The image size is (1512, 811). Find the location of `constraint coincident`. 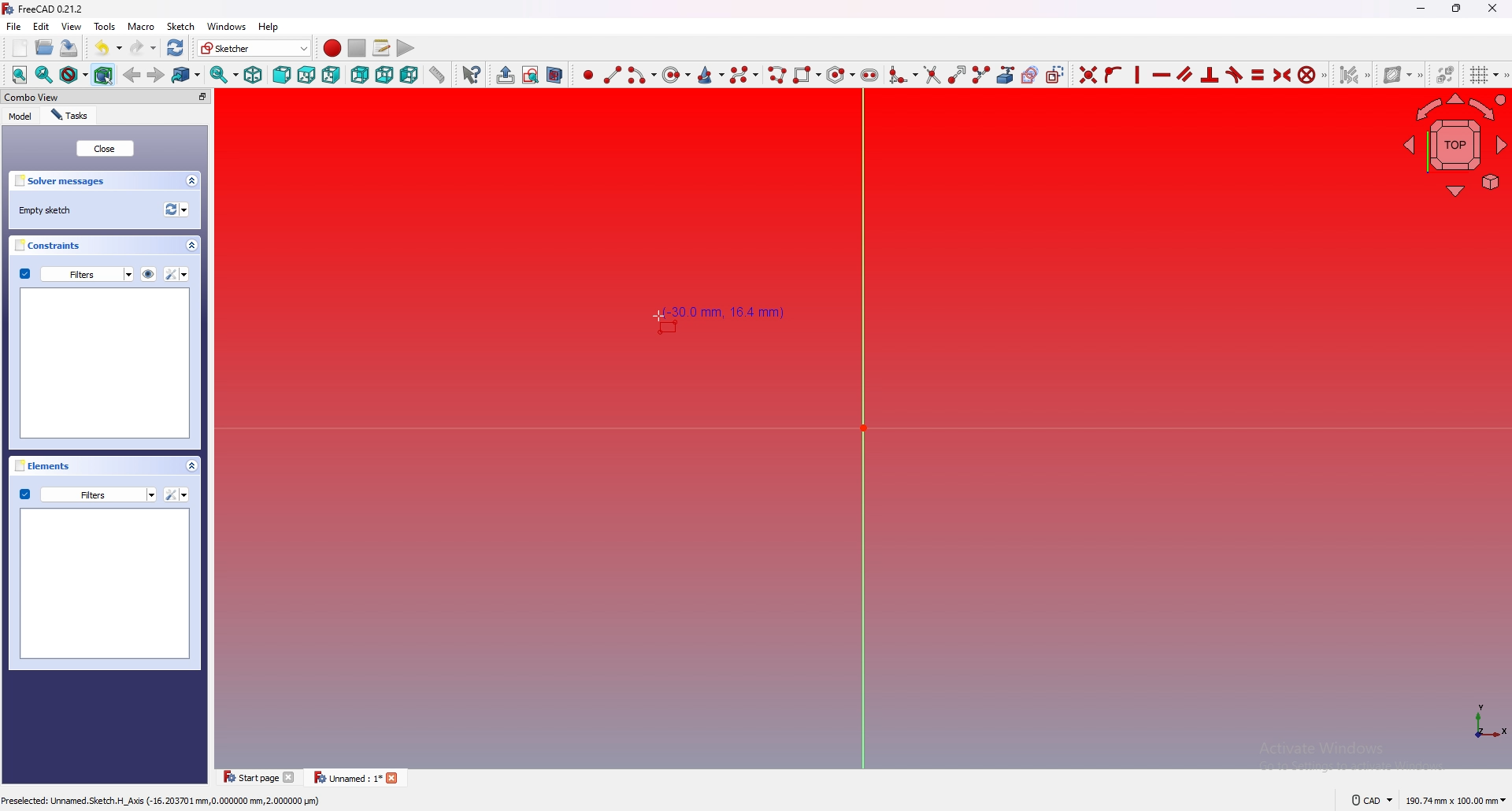

constraint coincident is located at coordinates (1088, 74).